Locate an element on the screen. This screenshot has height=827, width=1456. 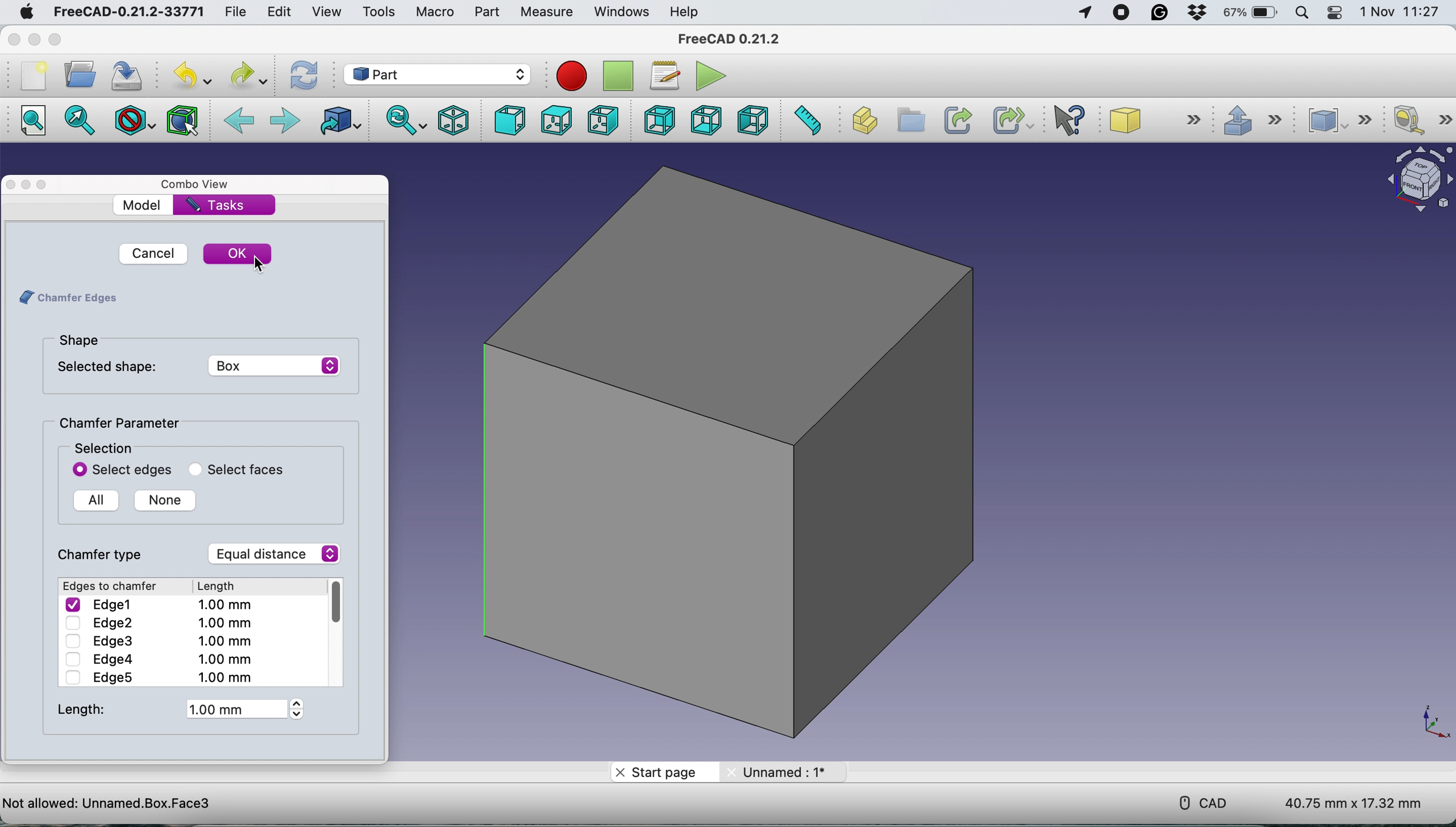
macro is located at coordinates (434, 12).